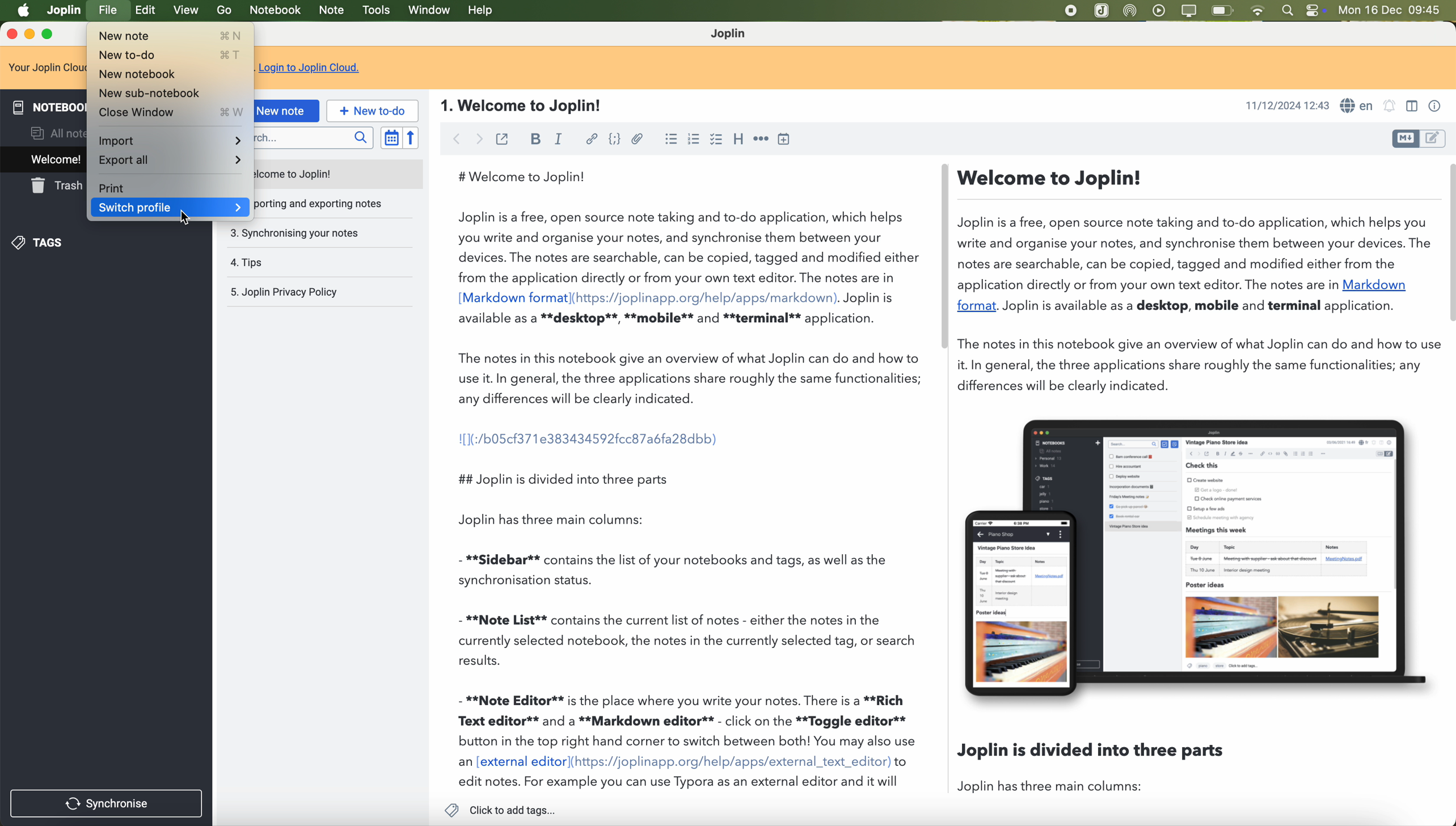 Image resolution: width=1456 pixels, height=826 pixels. What do you see at coordinates (1100, 772) in the screenshot?
I see `Joplin is divided into three parts
Joplin has three main columns:` at bounding box center [1100, 772].